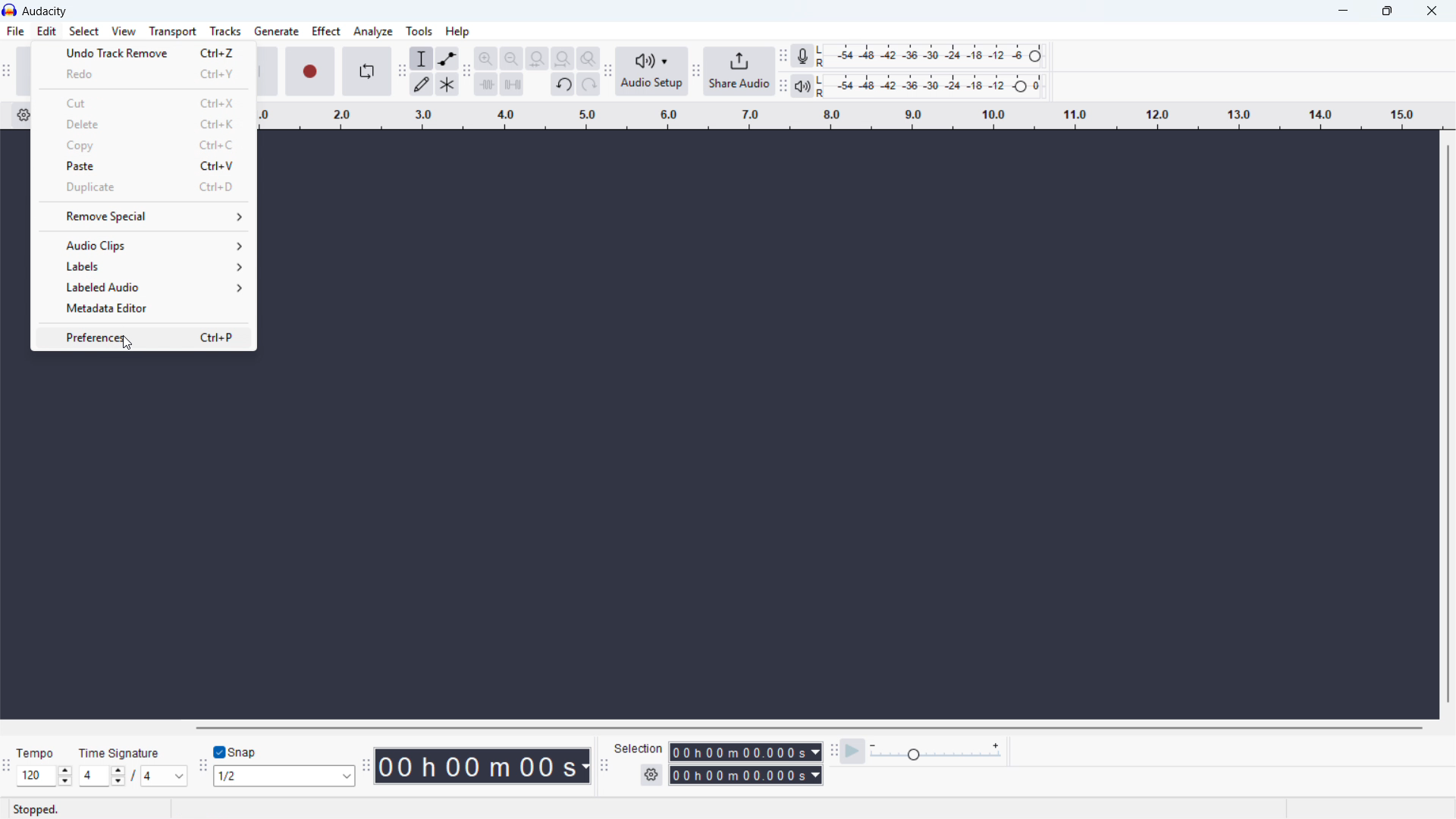 The width and height of the screenshot is (1456, 819). I want to click on undo last action, so click(143, 52).